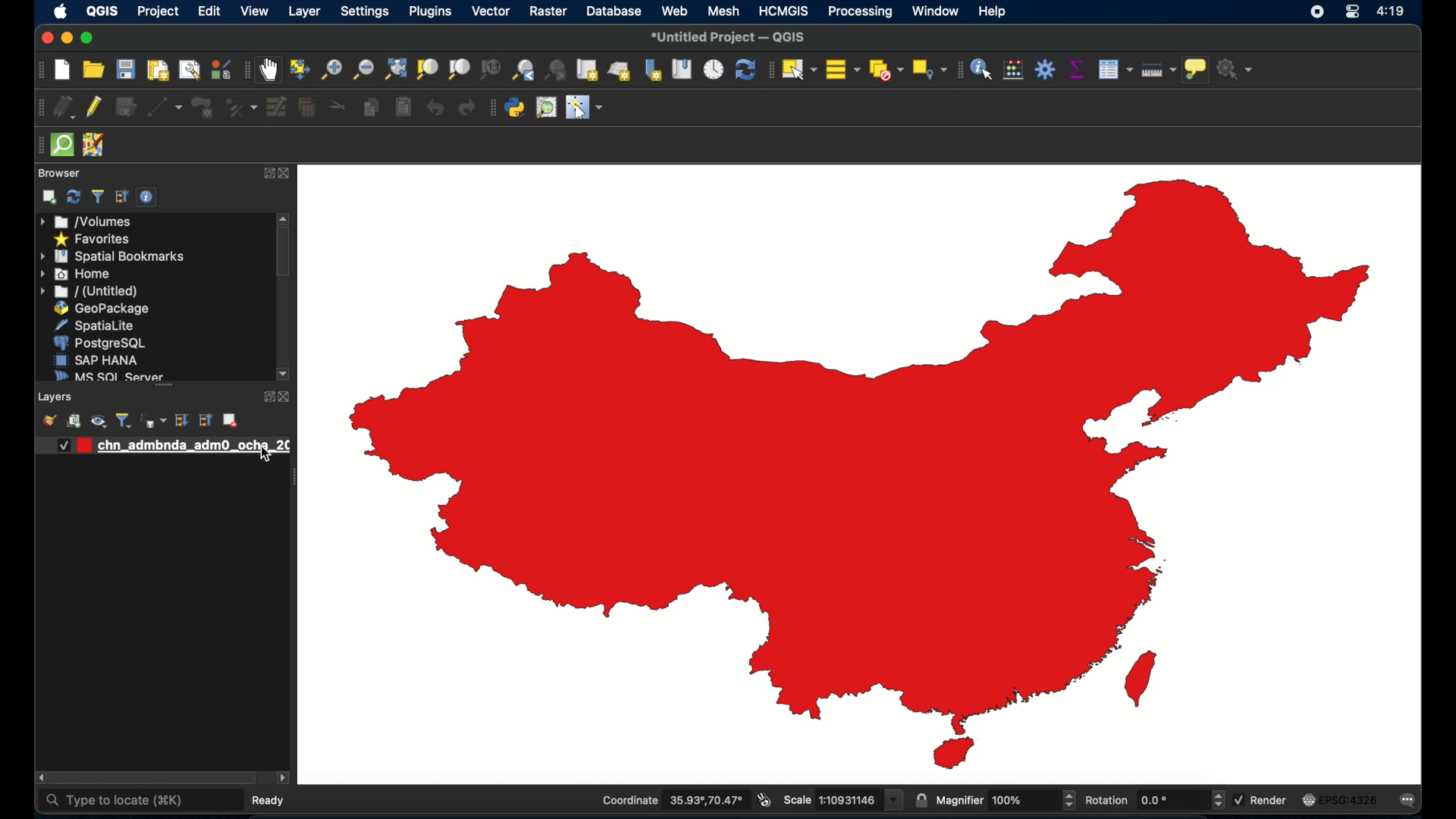 The image size is (1456, 819). Describe the element at coordinates (193, 445) in the screenshot. I see `layer 1` at that location.